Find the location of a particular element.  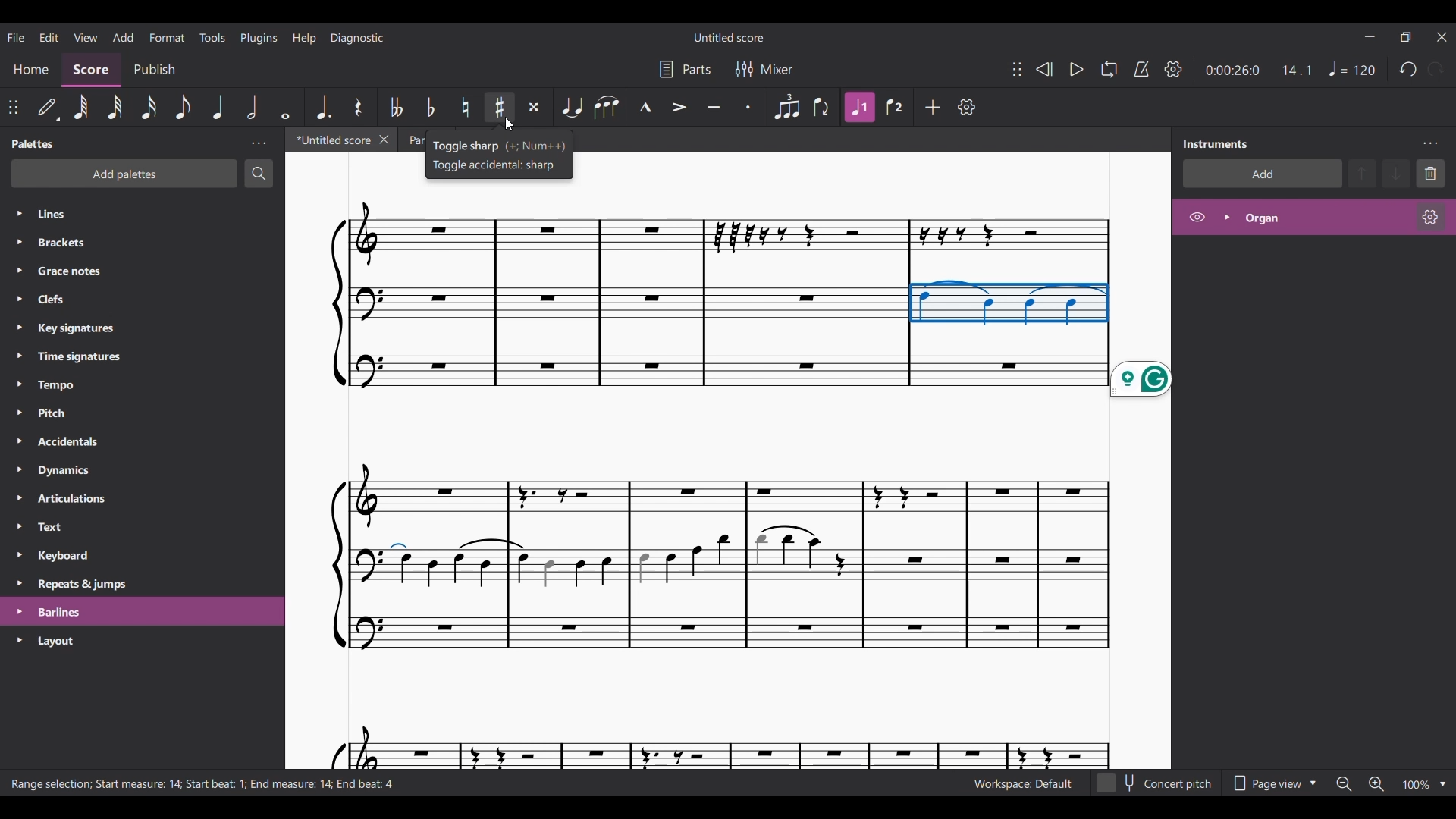

Home section is located at coordinates (30, 69).